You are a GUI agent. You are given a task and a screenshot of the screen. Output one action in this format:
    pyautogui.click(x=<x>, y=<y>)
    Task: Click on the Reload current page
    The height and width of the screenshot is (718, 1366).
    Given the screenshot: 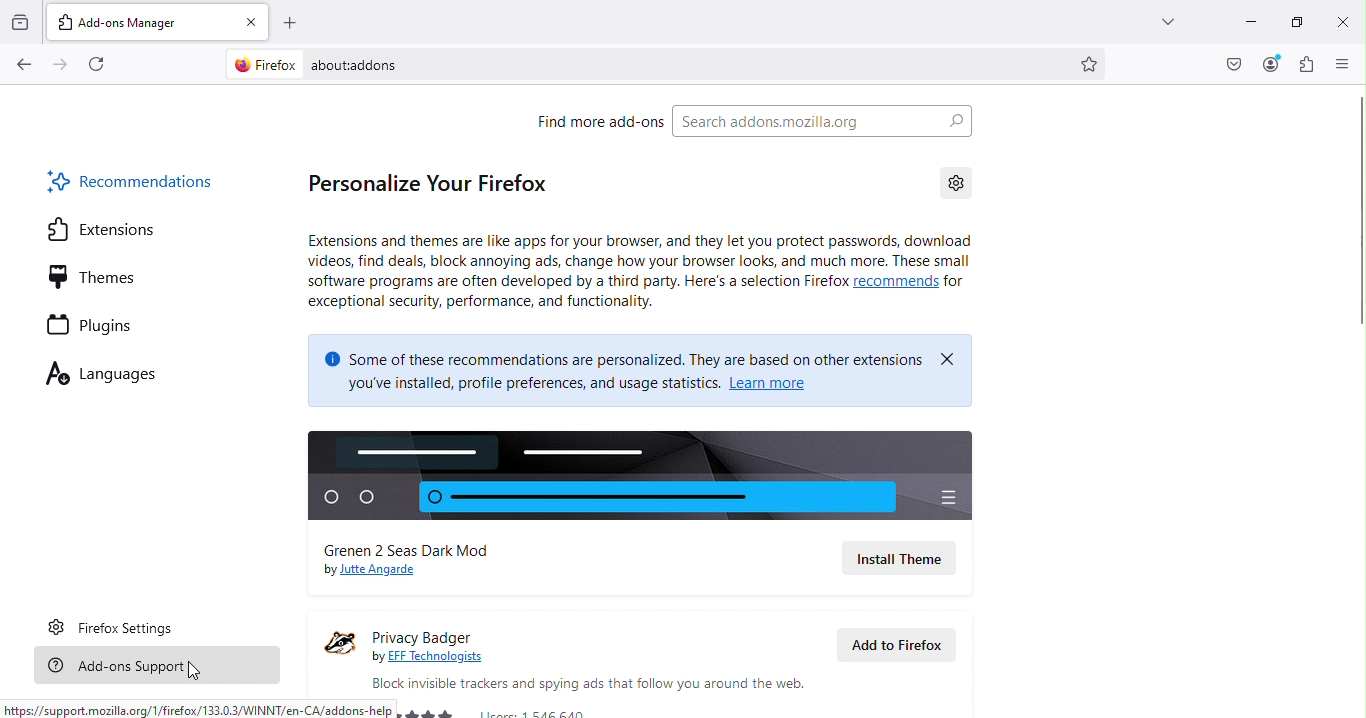 What is the action you would take?
    pyautogui.click(x=97, y=63)
    